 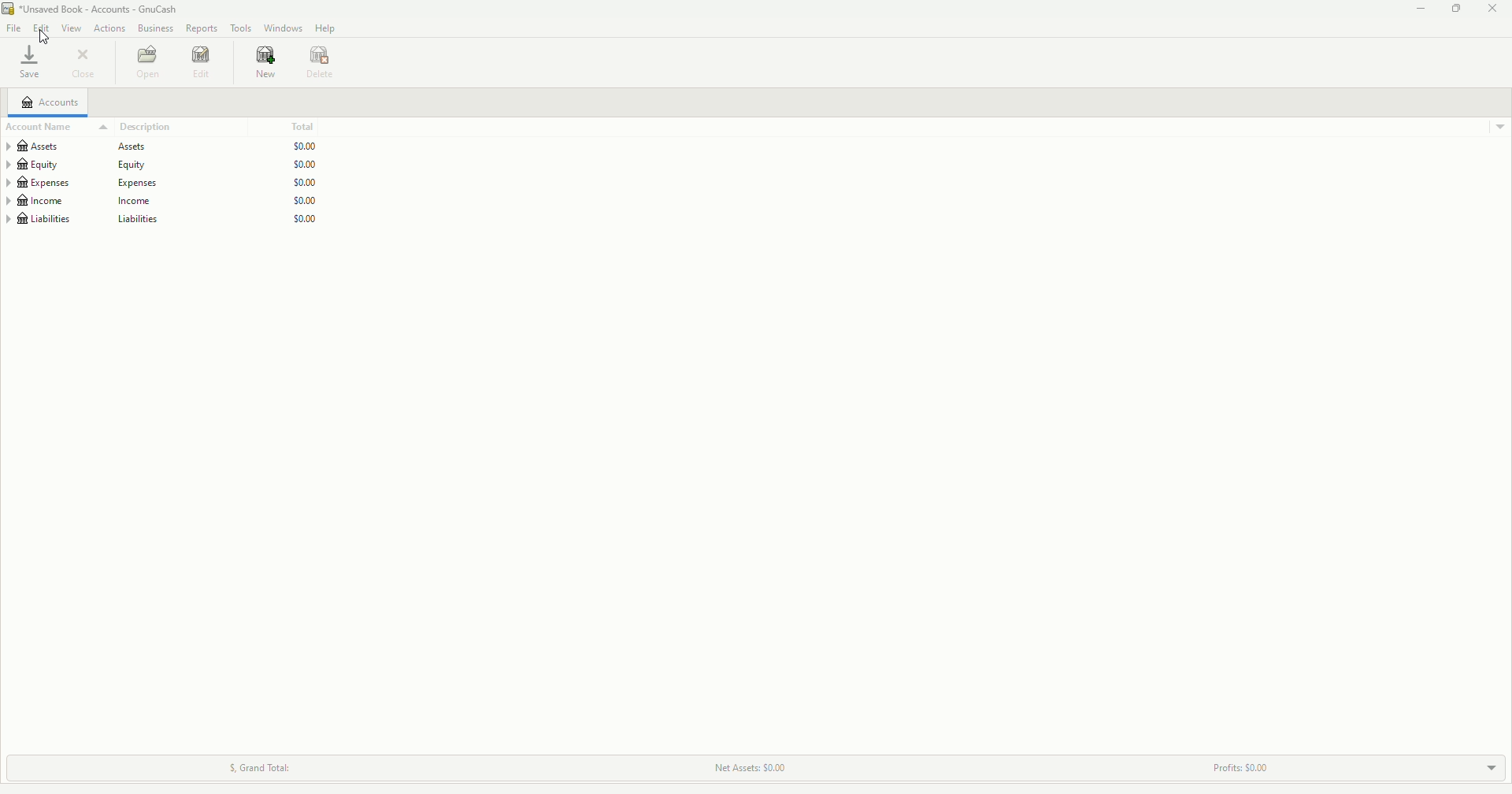 What do you see at coordinates (308, 128) in the screenshot?
I see `Total` at bounding box center [308, 128].